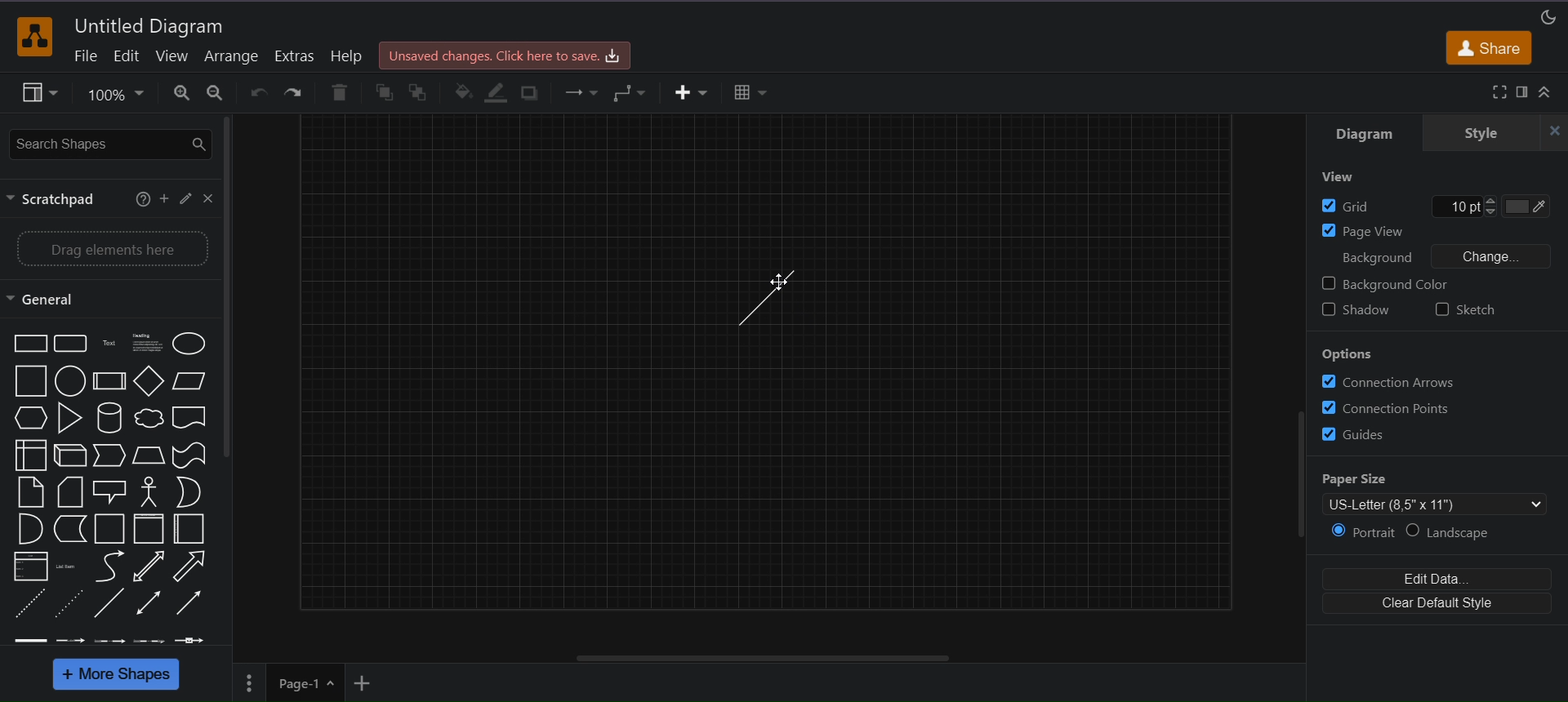 The image size is (1568, 702). What do you see at coordinates (1387, 282) in the screenshot?
I see `background color` at bounding box center [1387, 282].